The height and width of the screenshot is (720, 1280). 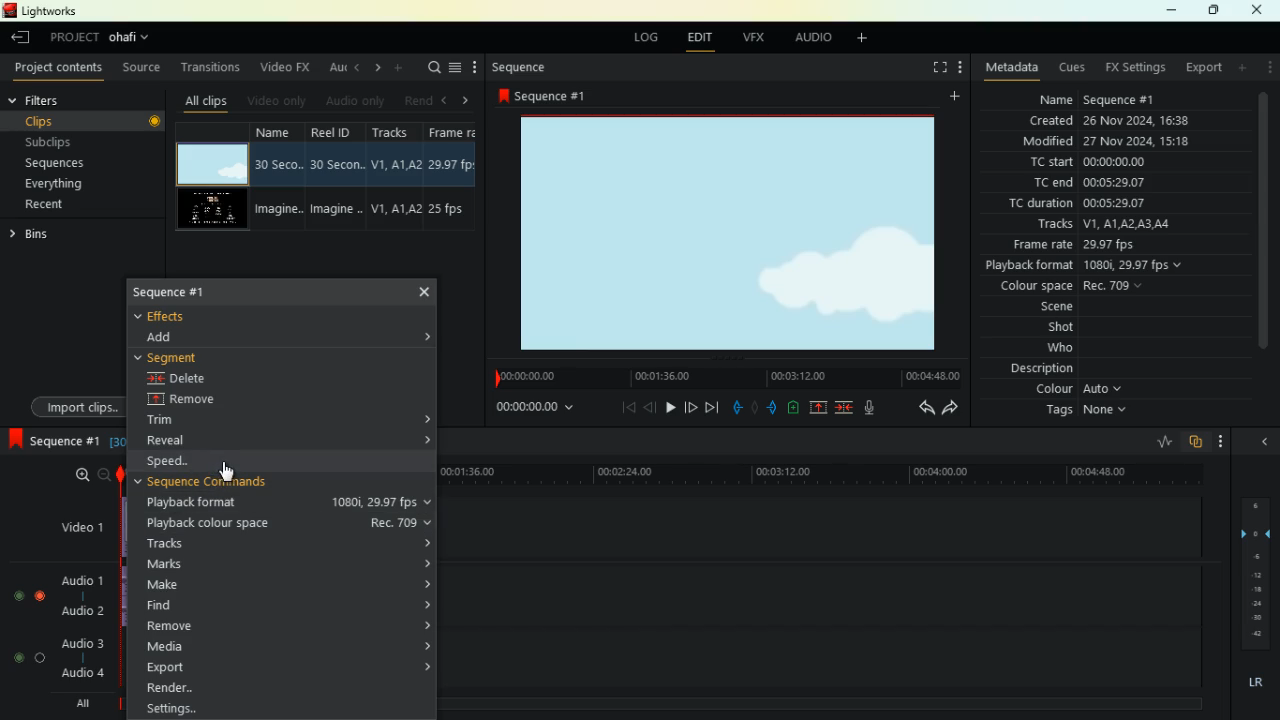 I want to click on name, so click(x=1092, y=99).